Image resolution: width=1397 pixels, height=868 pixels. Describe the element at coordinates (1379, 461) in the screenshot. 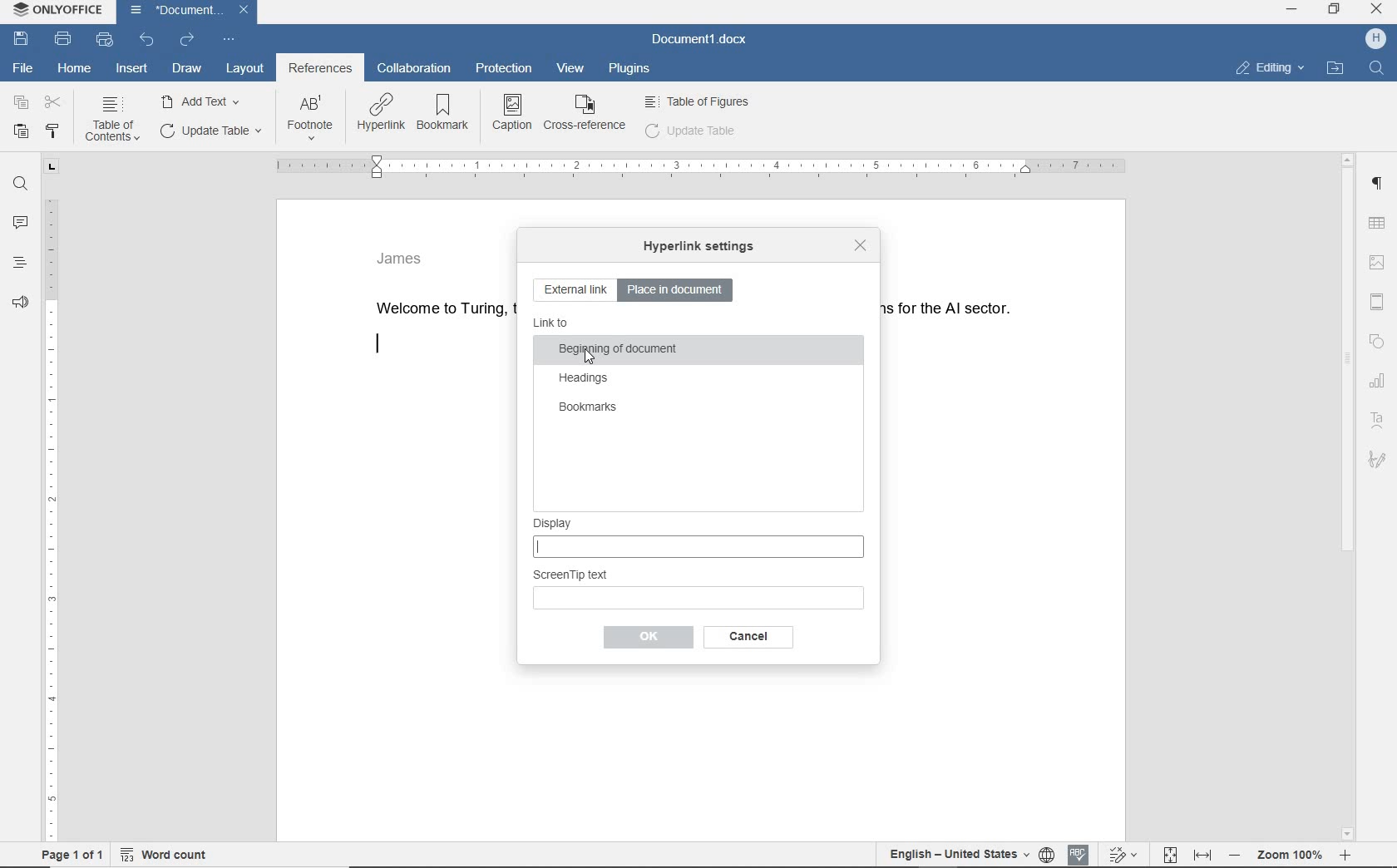

I see `Signature` at that location.